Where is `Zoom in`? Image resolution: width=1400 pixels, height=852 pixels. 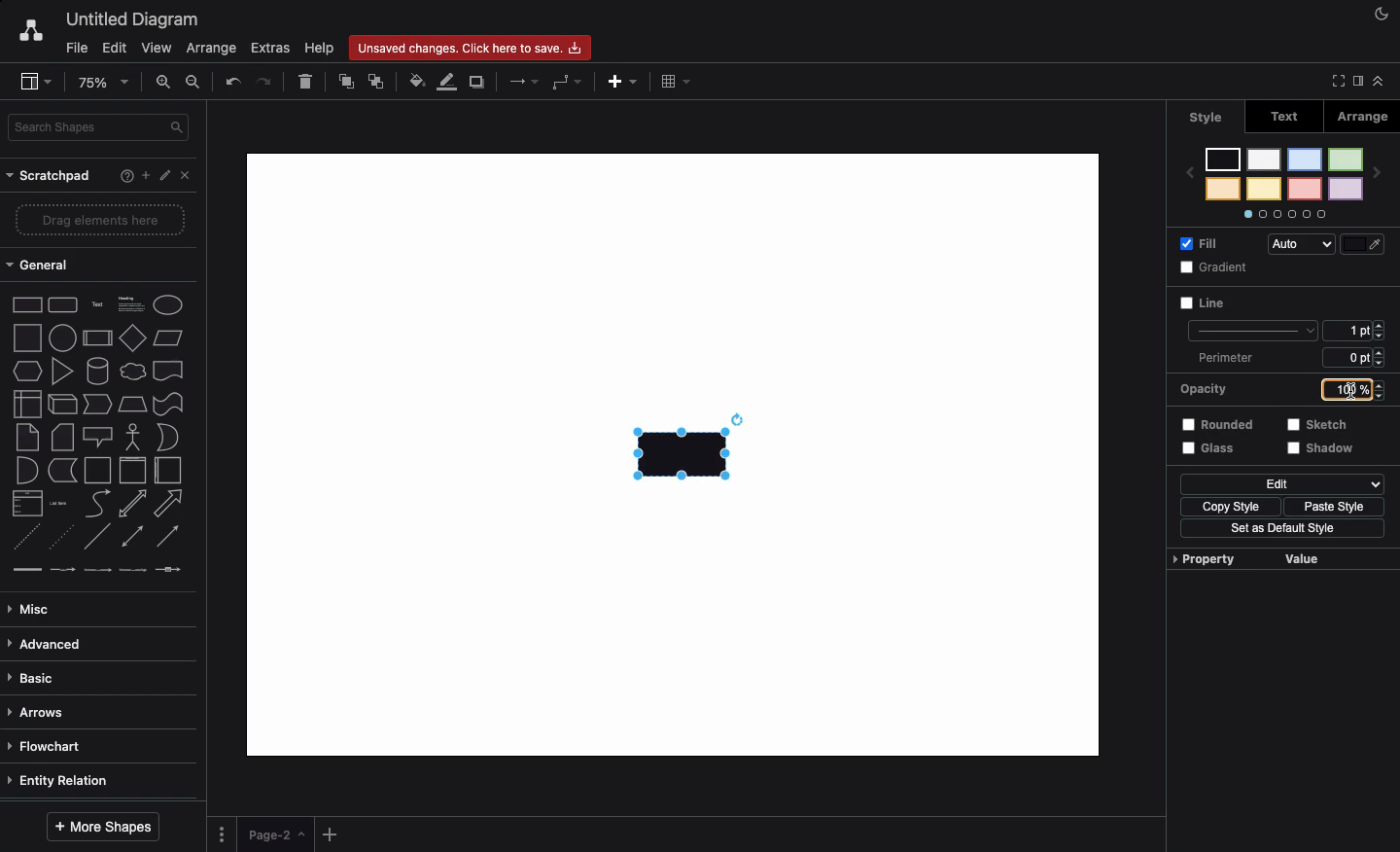
Zoom in is located at coordinates (164, 85).